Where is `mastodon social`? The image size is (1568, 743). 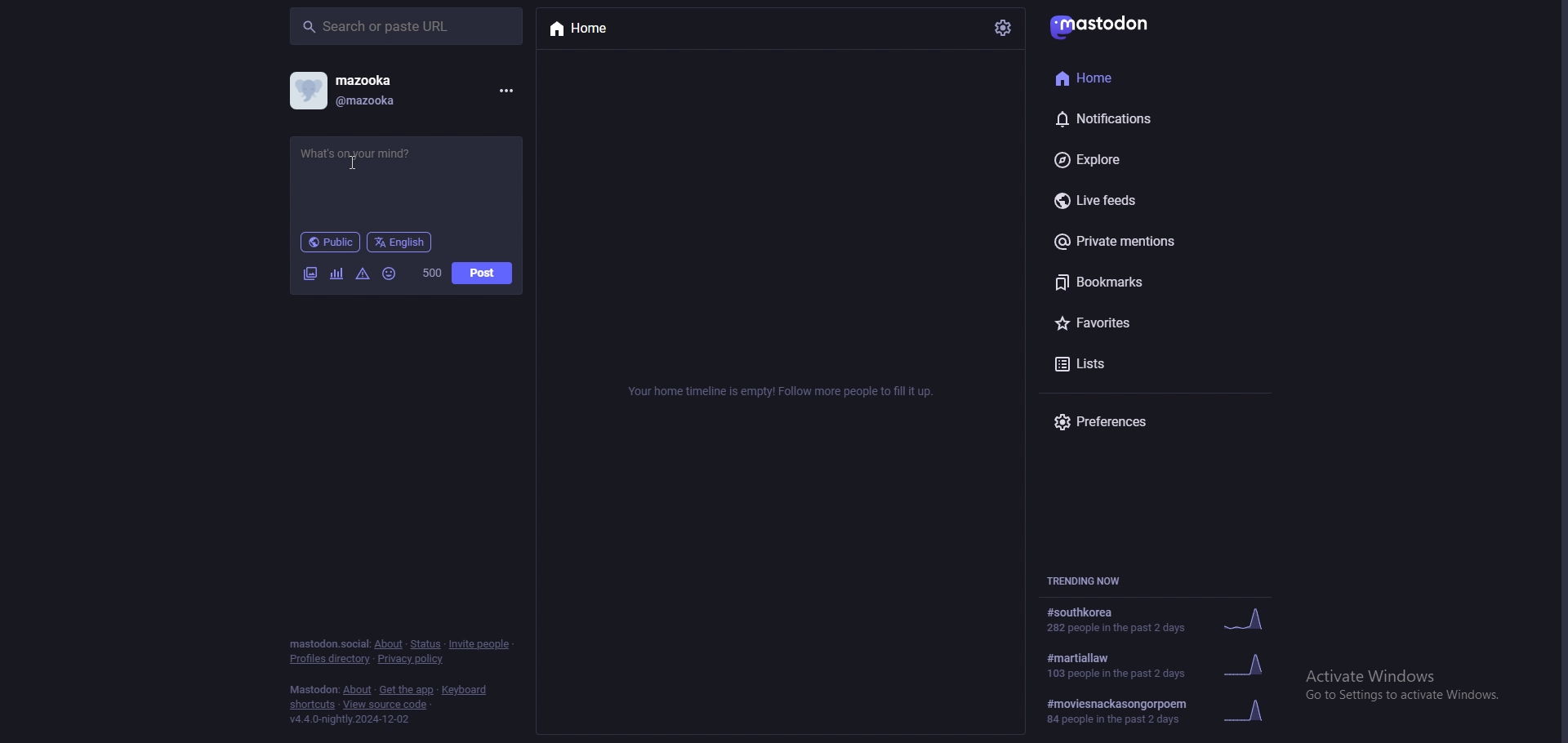 mastodon social is located at coordinates (327, 643).